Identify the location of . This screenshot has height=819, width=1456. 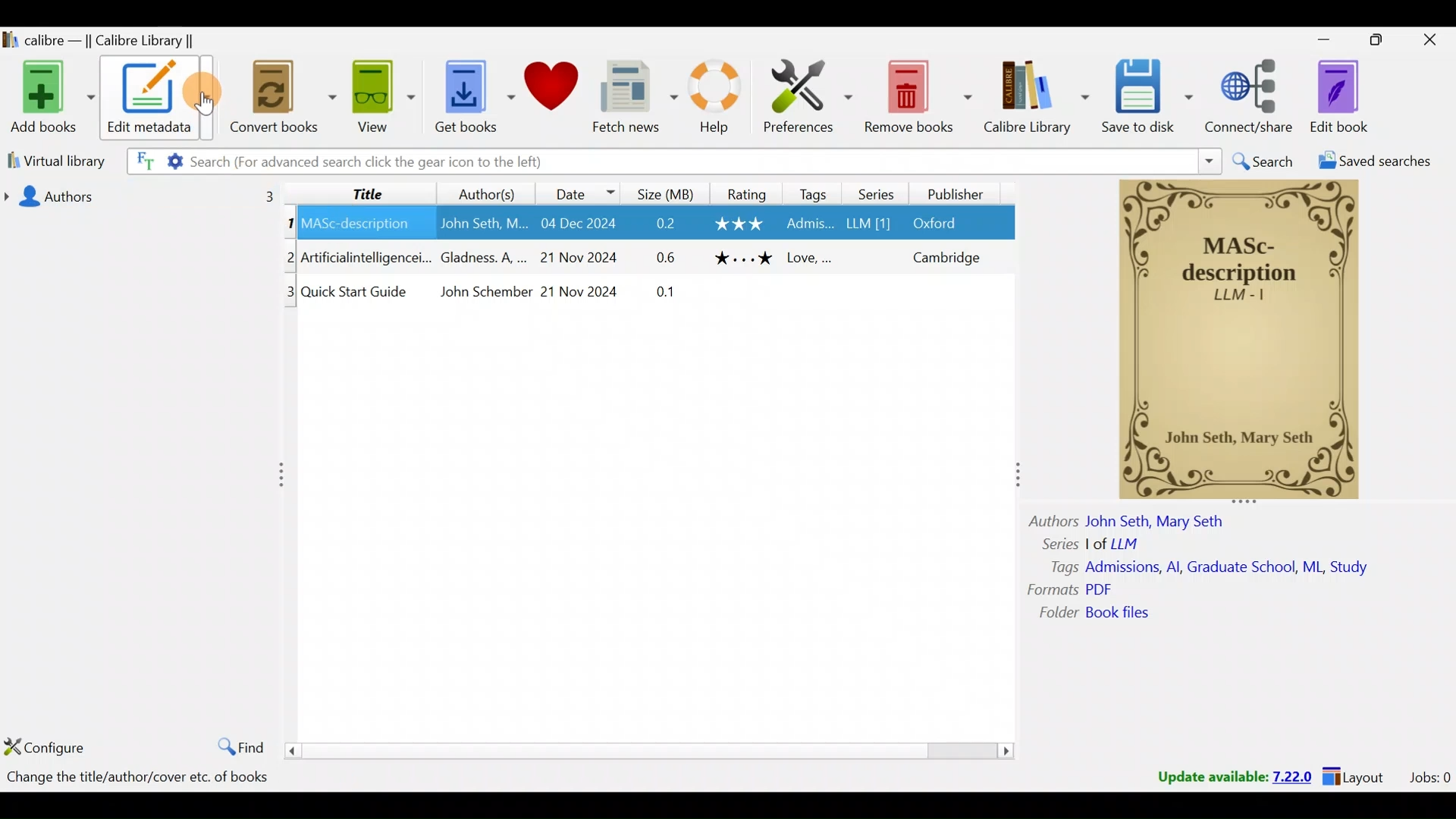
(872, 224).